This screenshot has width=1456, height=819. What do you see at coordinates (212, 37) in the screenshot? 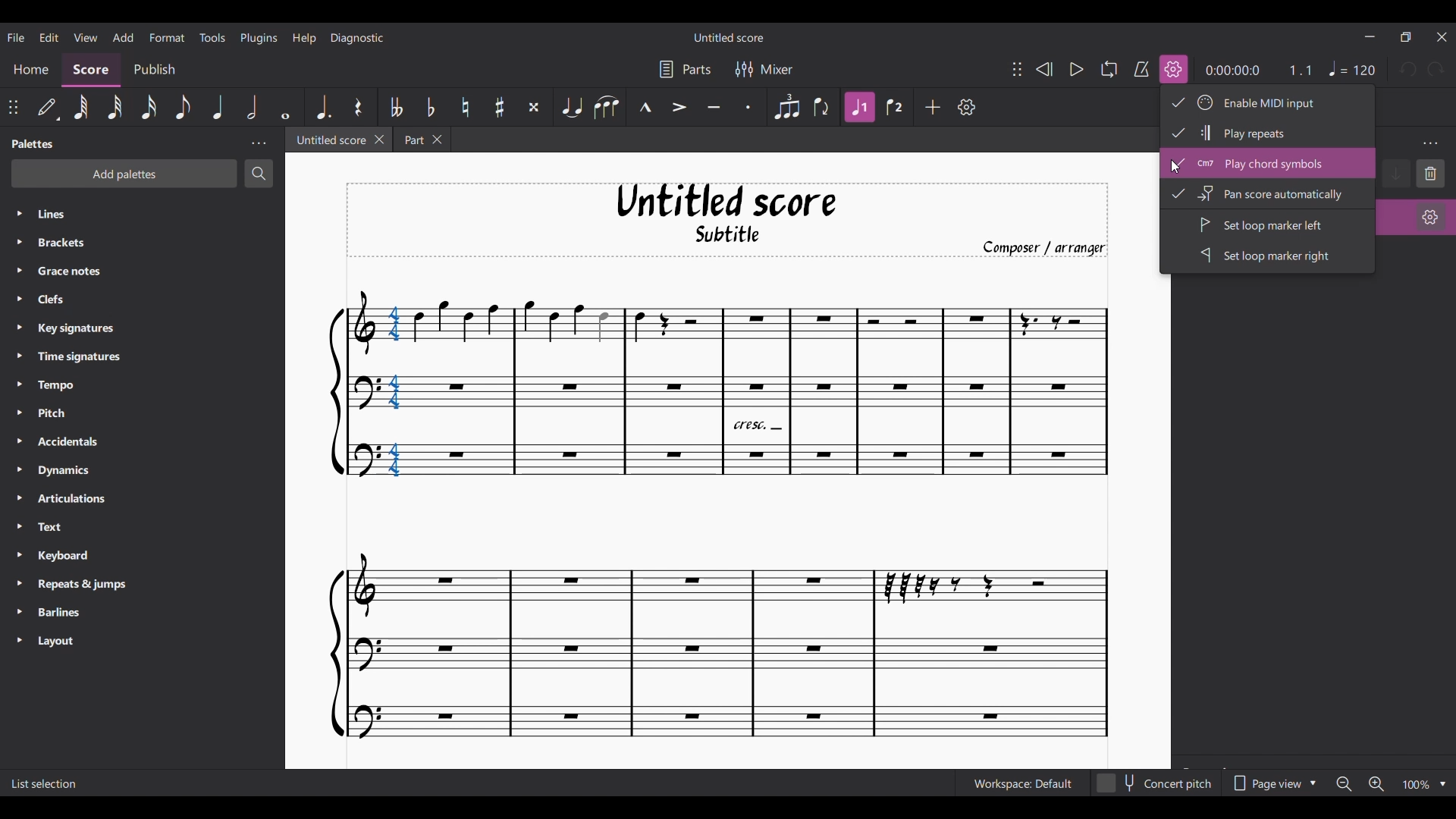
I see `Tools menu` at bounding box center [212, 37].